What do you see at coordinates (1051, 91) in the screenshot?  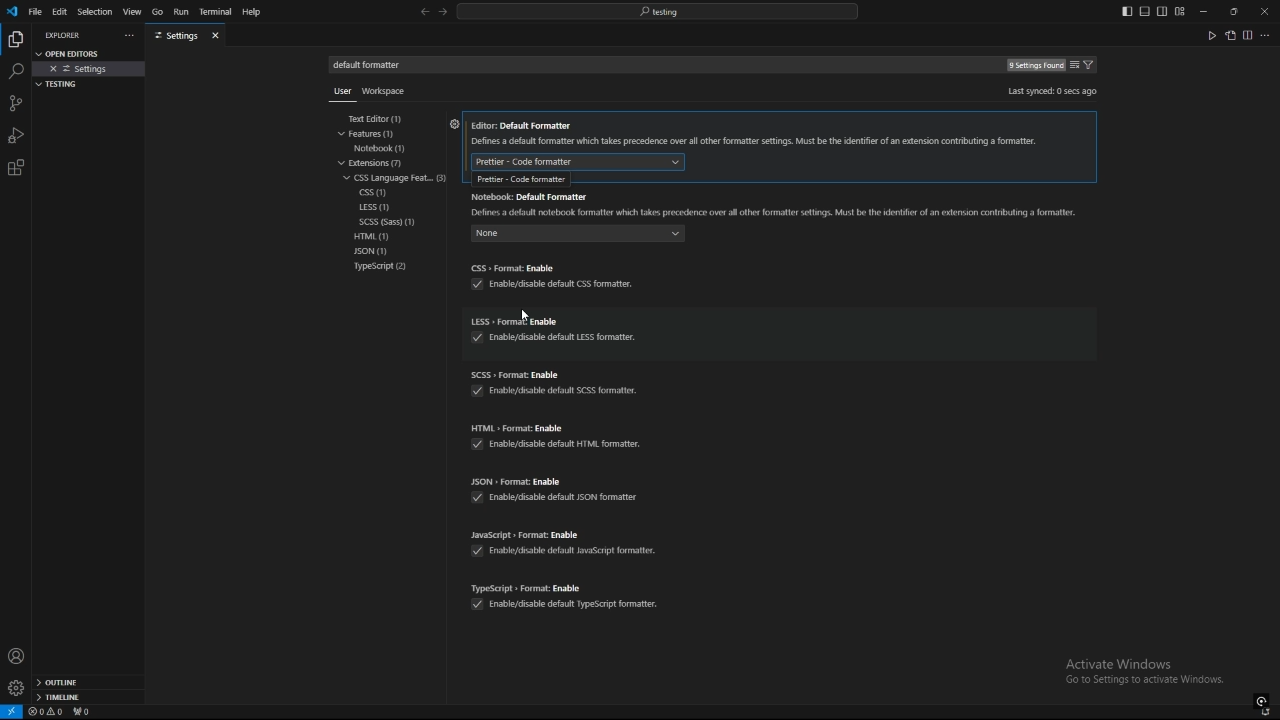 I see `Last synced: 0 secs ago` at bounding box center [1051, 91].